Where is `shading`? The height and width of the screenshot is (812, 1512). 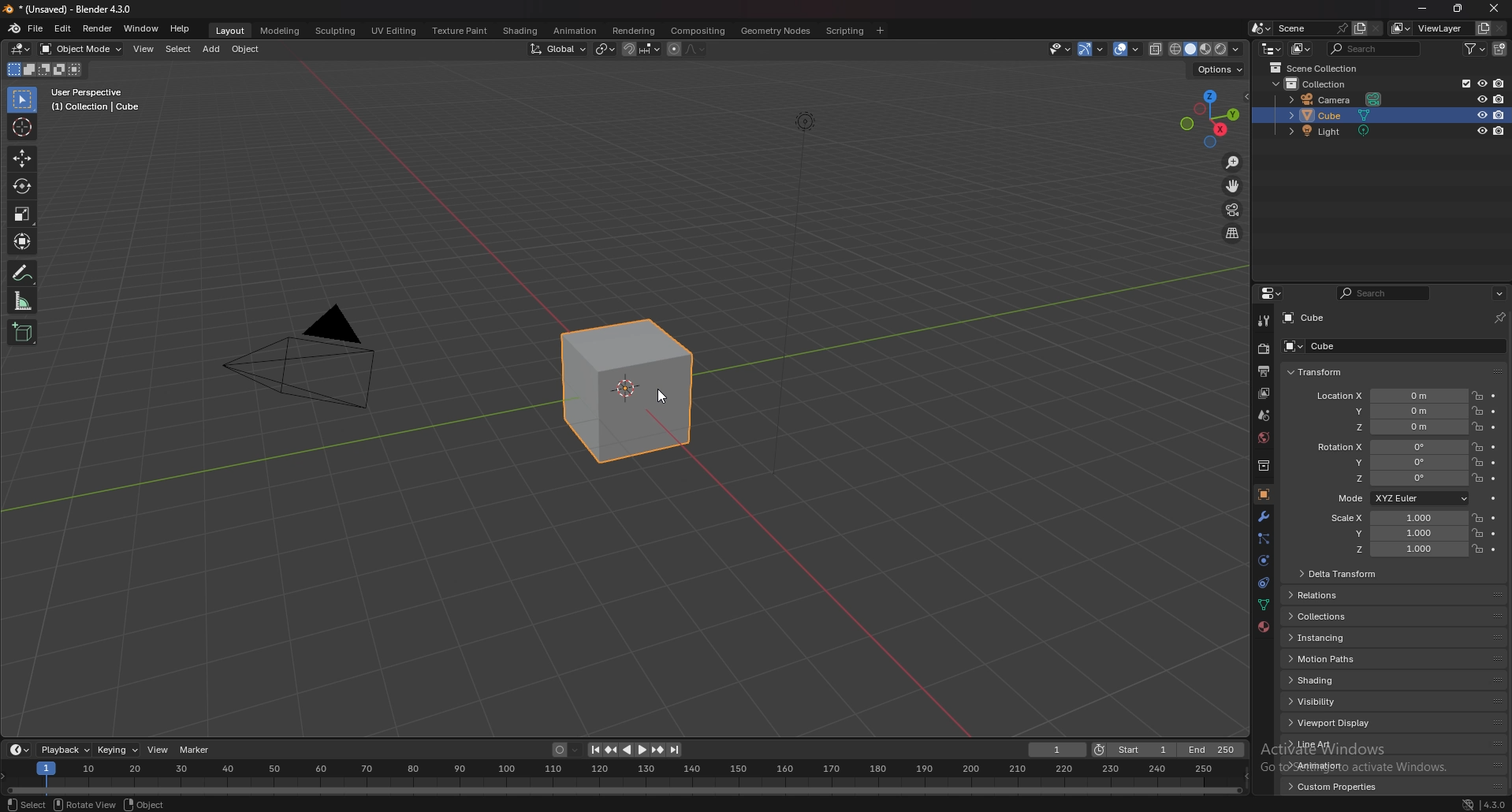 shading is located at coordinates (1237, 50).